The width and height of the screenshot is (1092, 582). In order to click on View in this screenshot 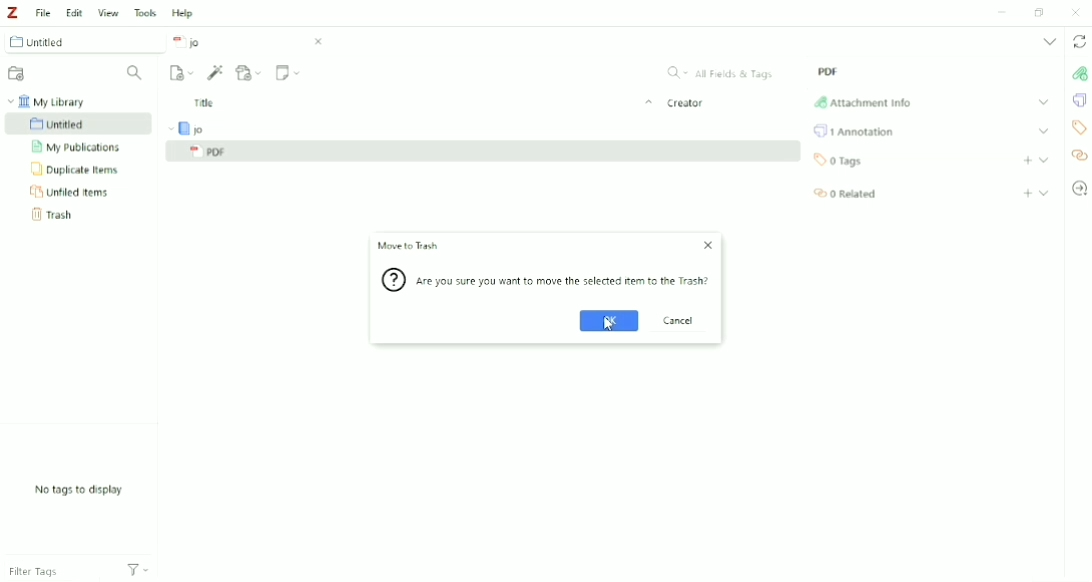, I will do `click(109, 12)`.